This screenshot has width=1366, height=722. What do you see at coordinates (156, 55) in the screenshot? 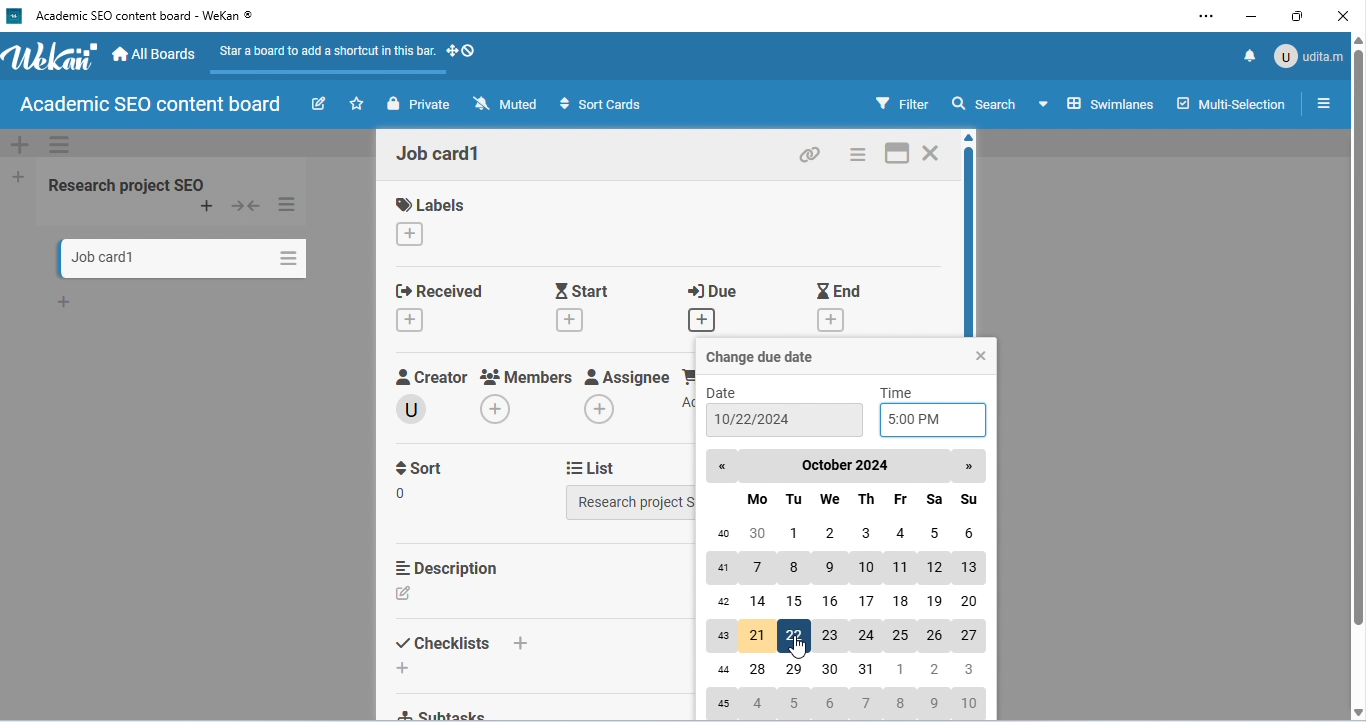
I see `all boards` at bounding box center [156, 55].